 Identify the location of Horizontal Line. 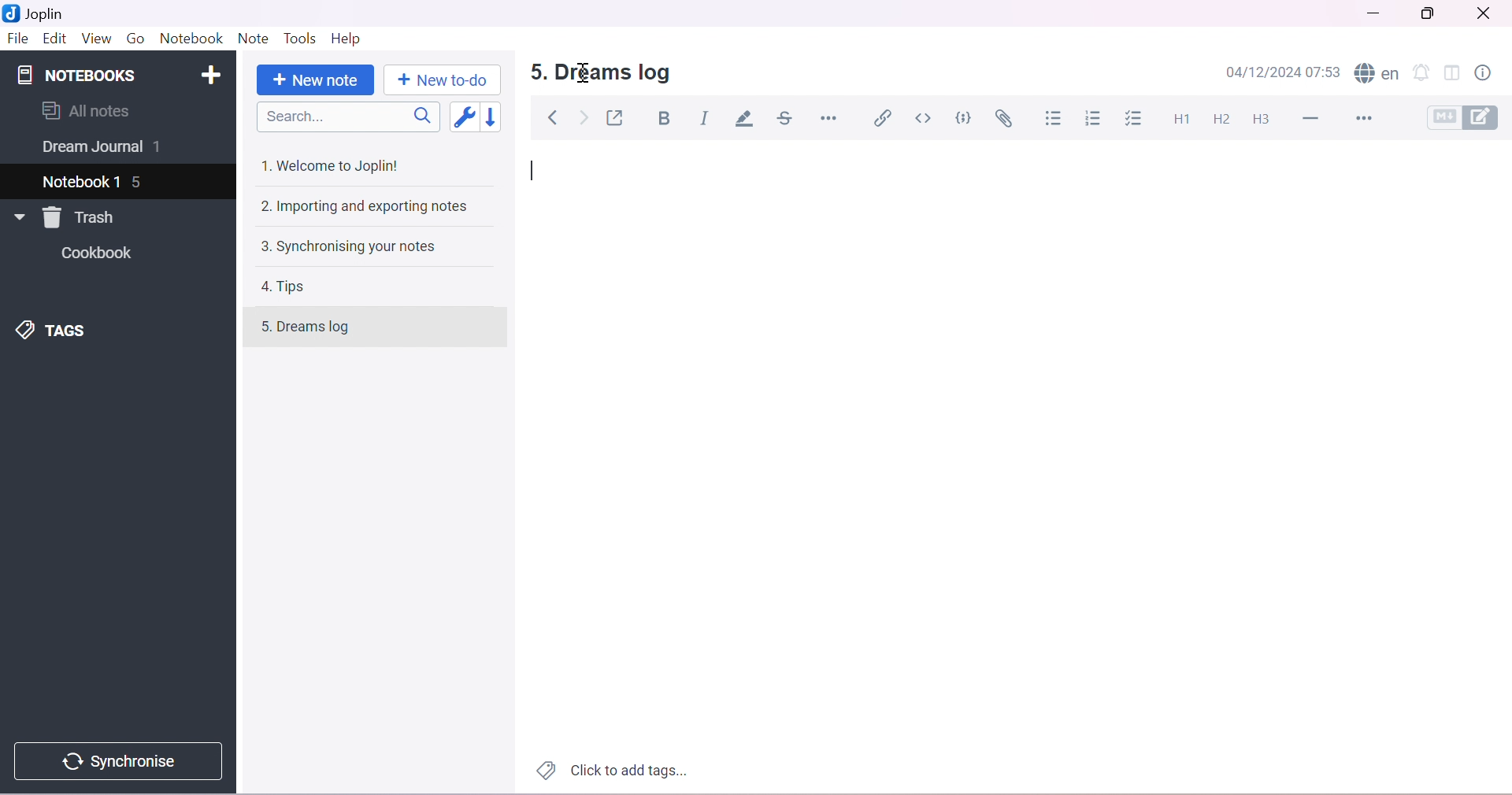
(1314, 119).